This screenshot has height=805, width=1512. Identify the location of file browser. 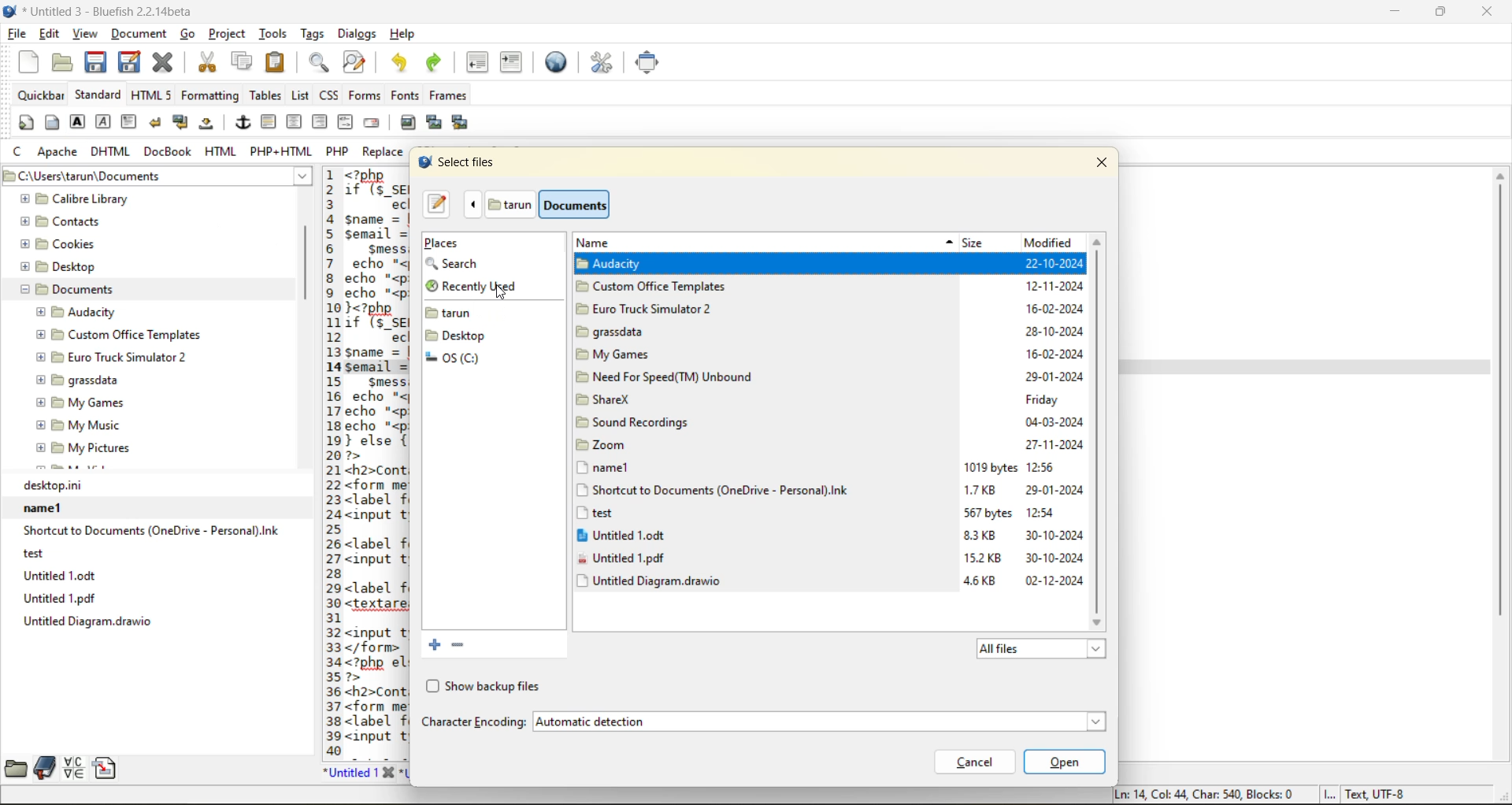
(14, 768).